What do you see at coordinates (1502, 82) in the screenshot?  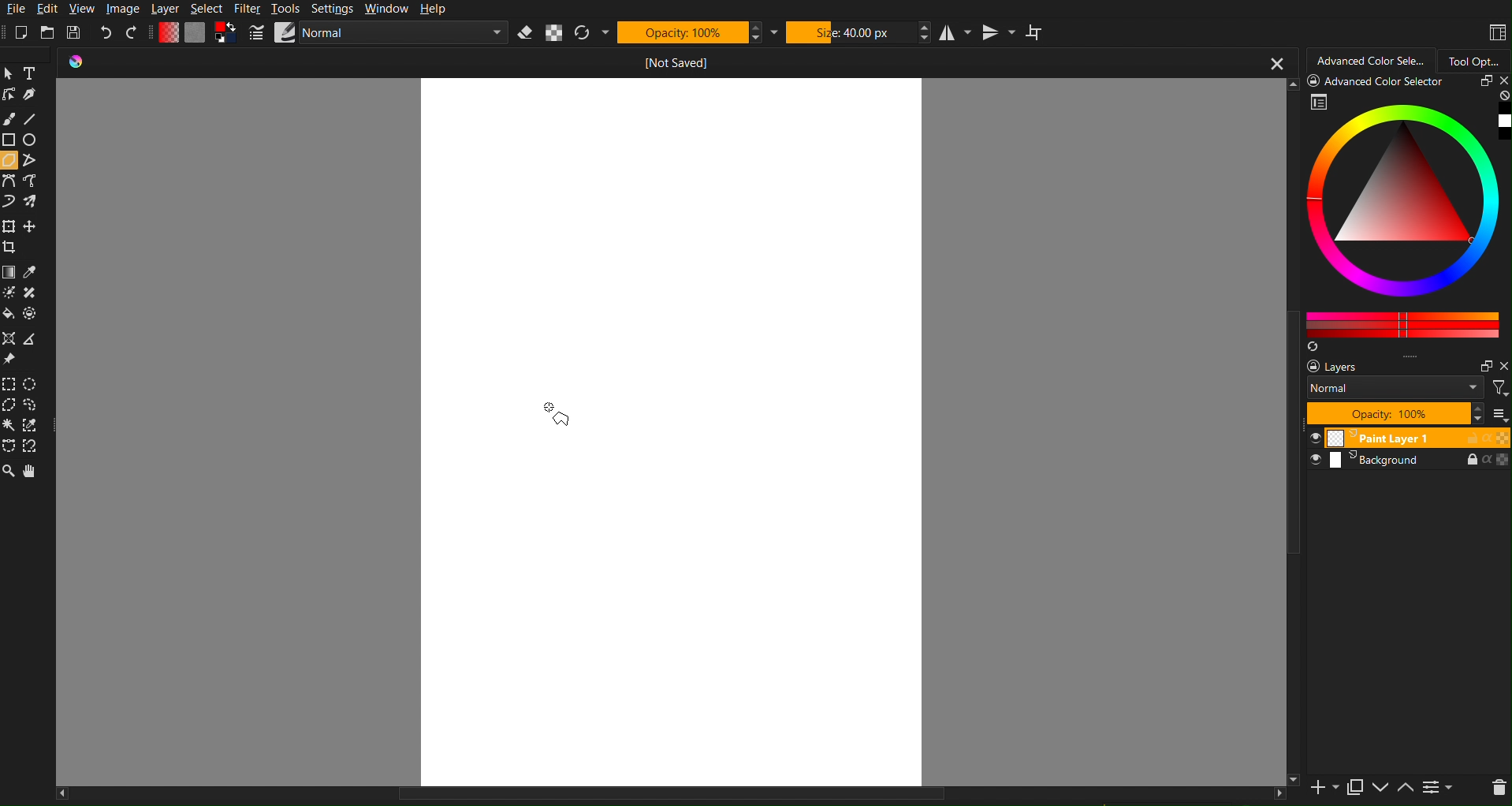 I see `close panel` at bounding box center [1502, 82].